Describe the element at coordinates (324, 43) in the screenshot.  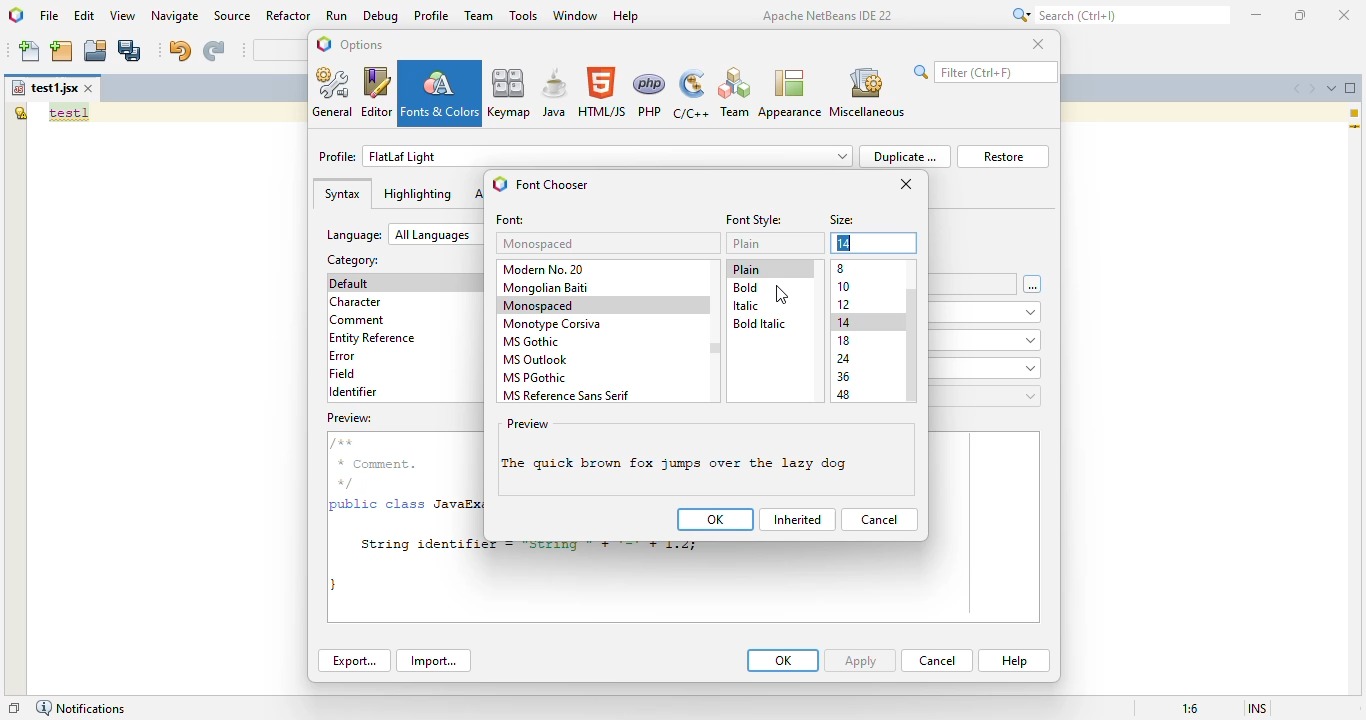
I see `logo` at that location.